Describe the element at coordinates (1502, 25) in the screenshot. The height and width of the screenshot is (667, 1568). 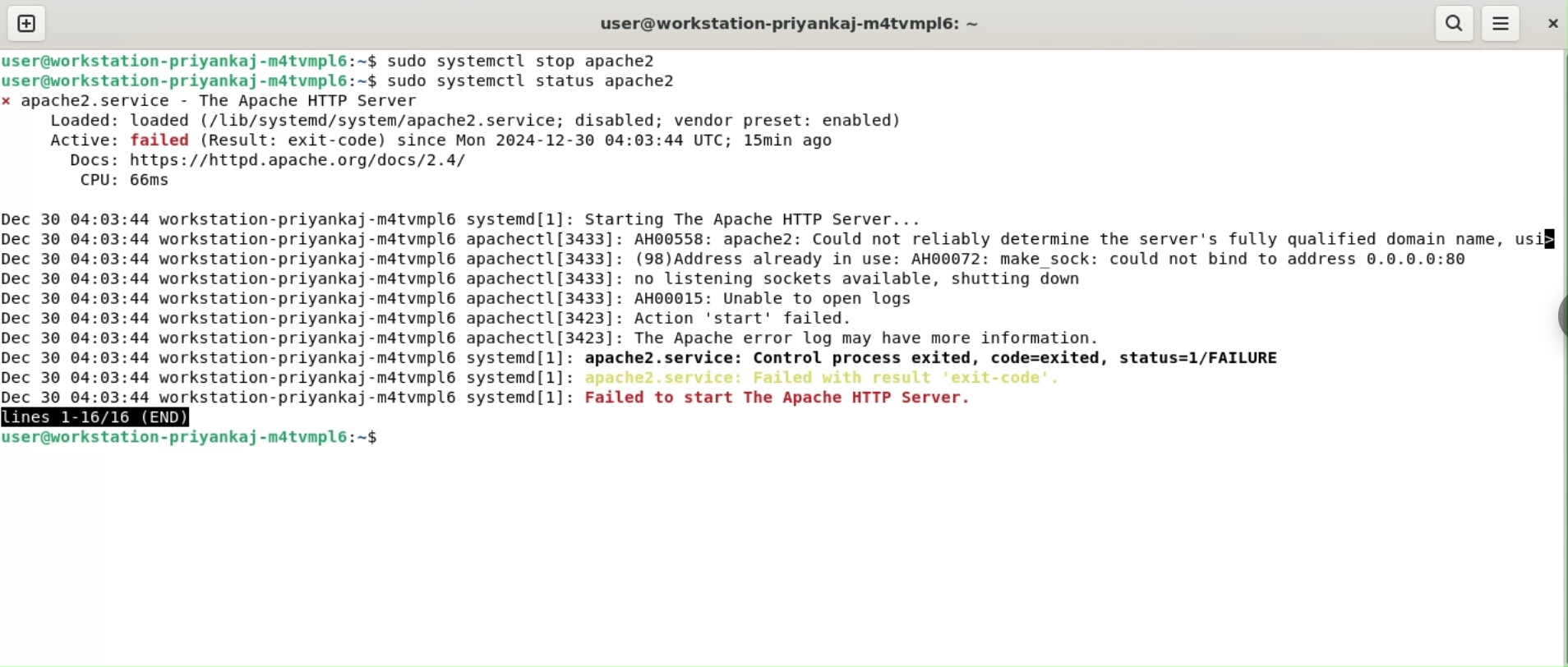
I see `menu` at that location.